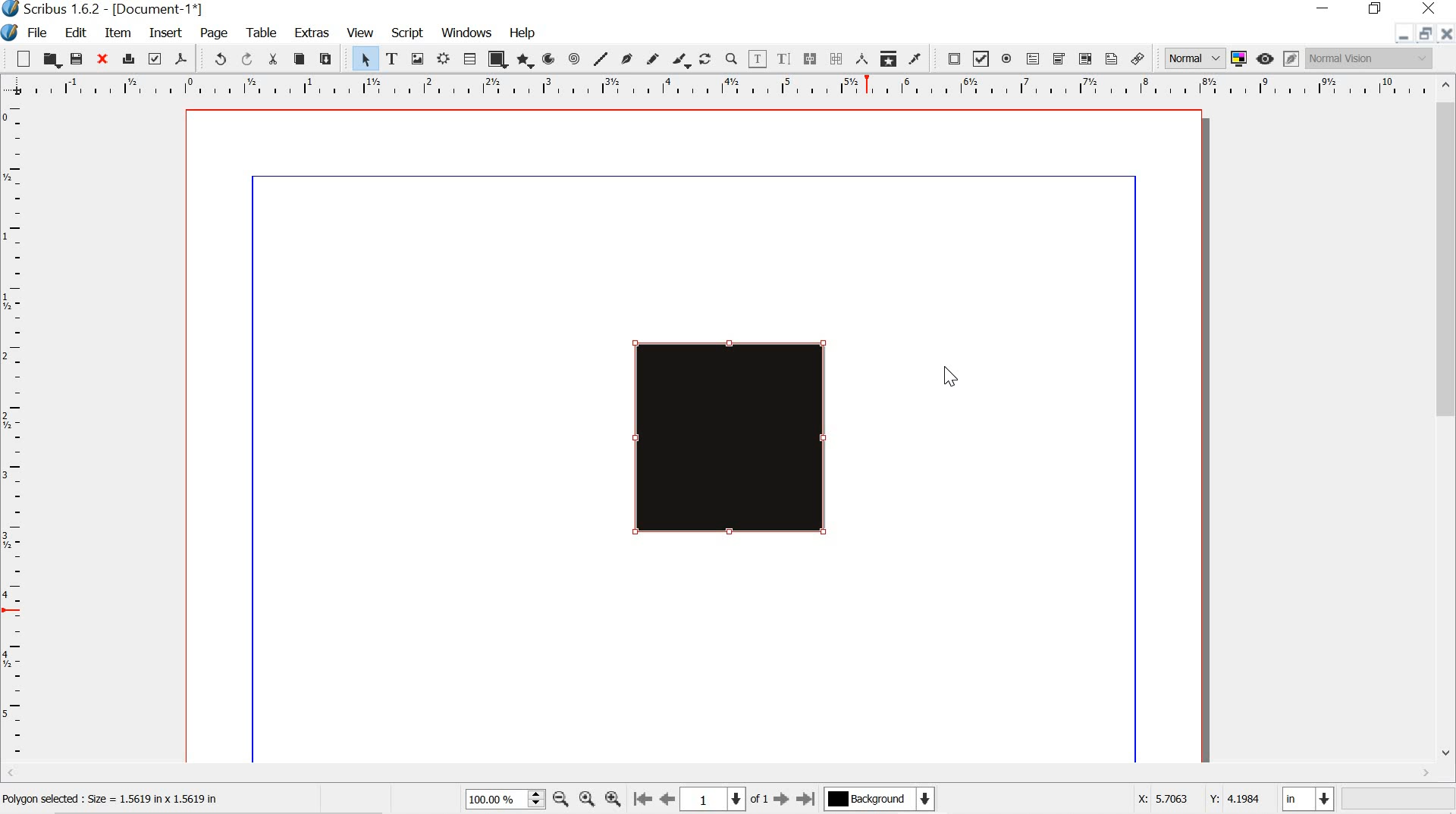 The height and width of the screenshot is (814, 1456). What do you see at coordinates (311, 33) in the screenshot?
I see `extras` at bounding box center [311, 33].